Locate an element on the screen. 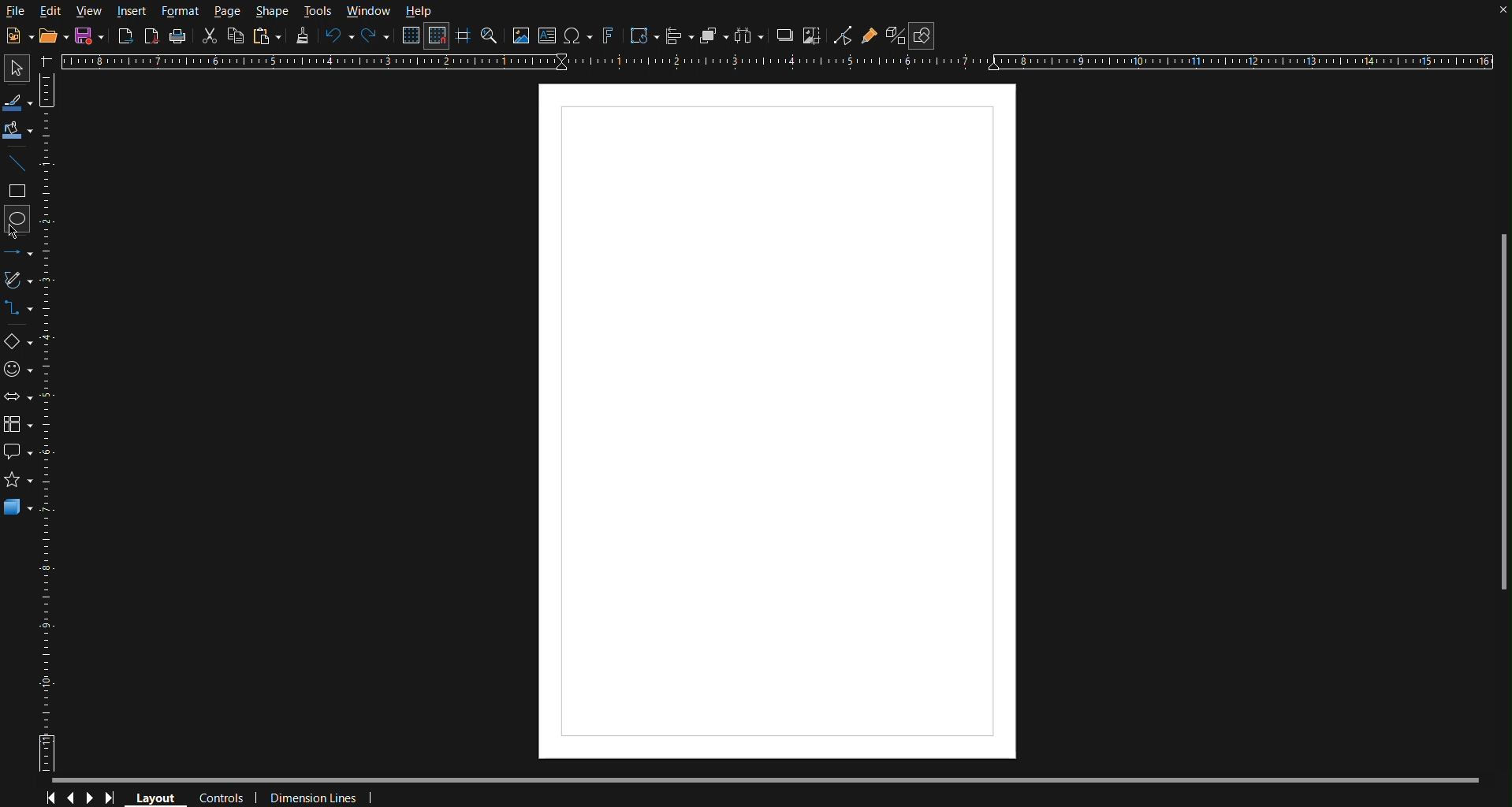 This screenshot has height=807, width=1512. Help is located at coordinates (418, 12).